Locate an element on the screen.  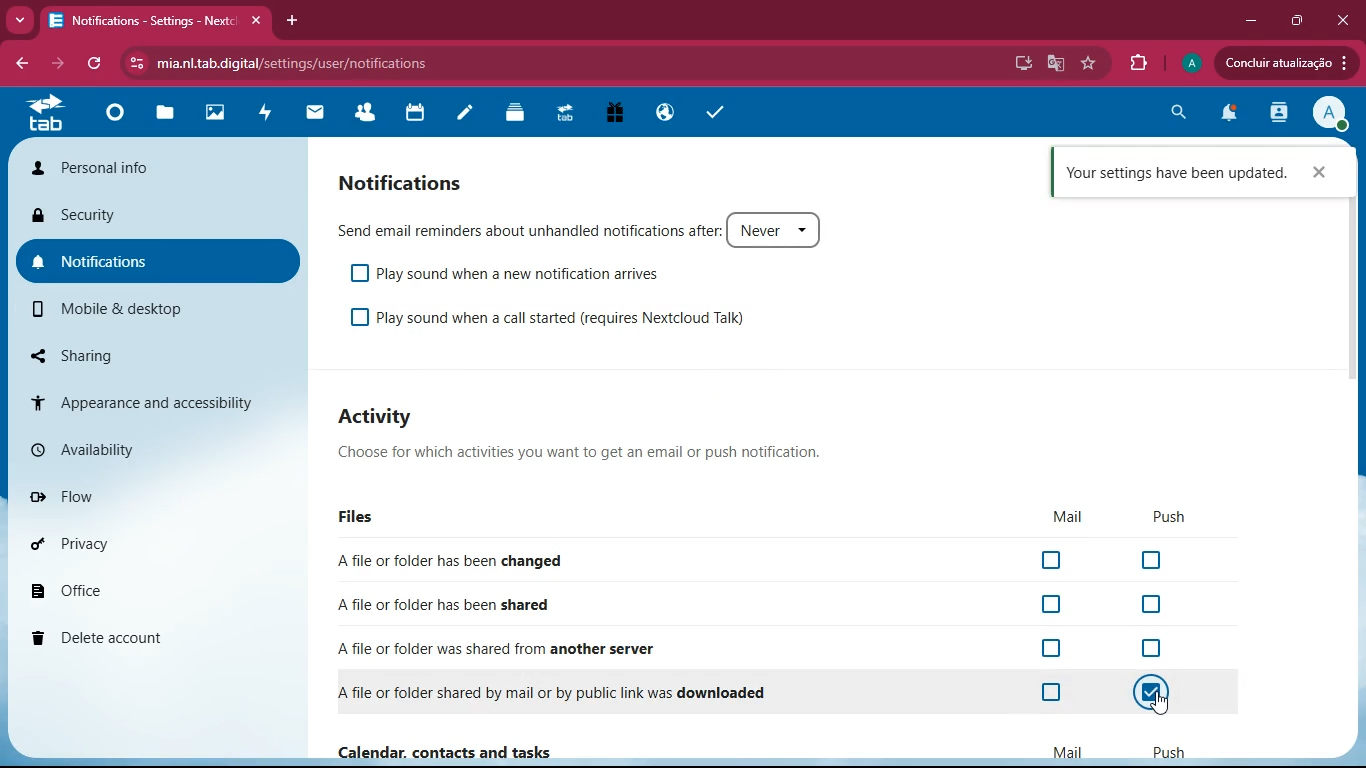
office is located at coordinates (139, 592).